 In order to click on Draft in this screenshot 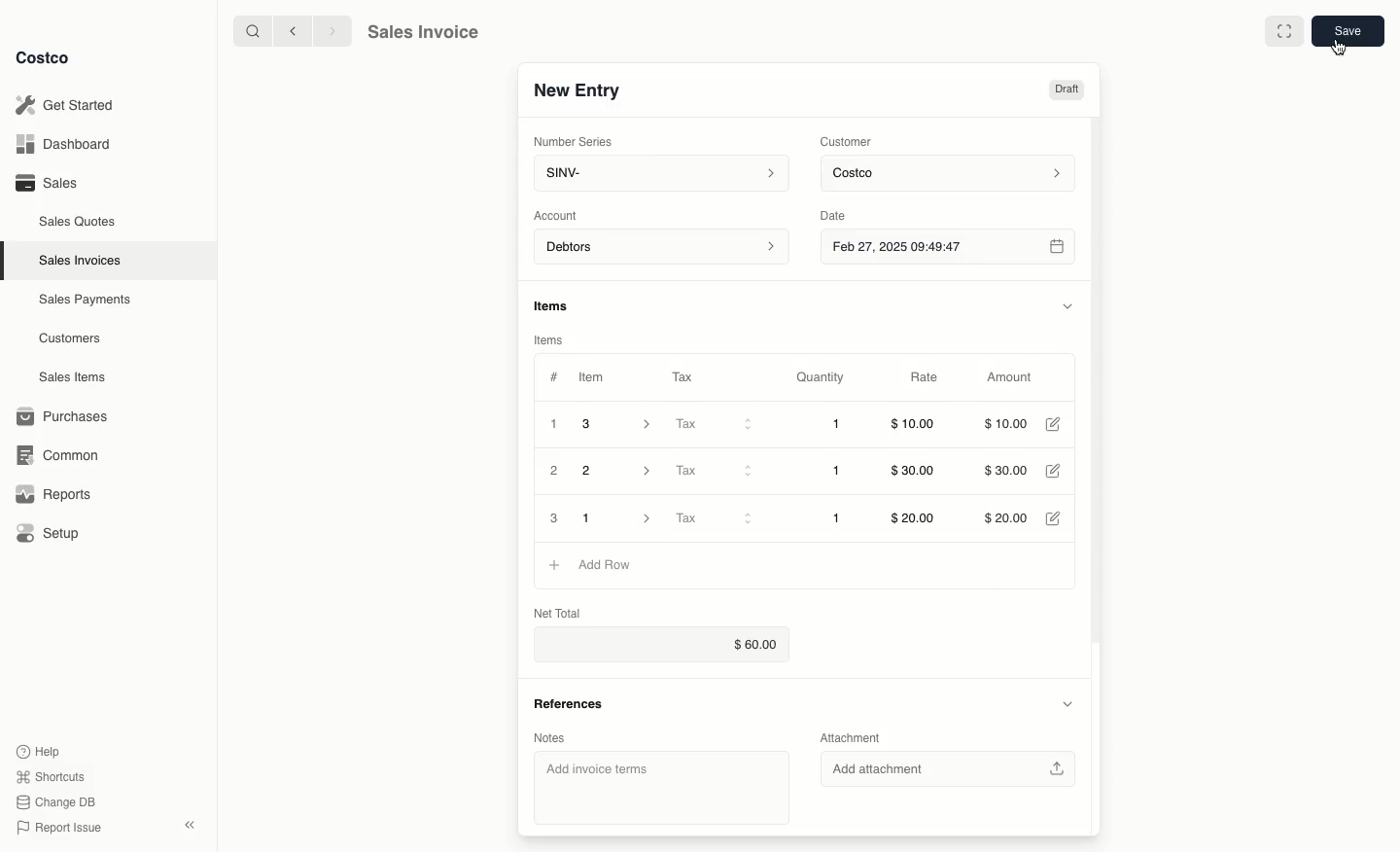, I will do `click(1067, 90)`.